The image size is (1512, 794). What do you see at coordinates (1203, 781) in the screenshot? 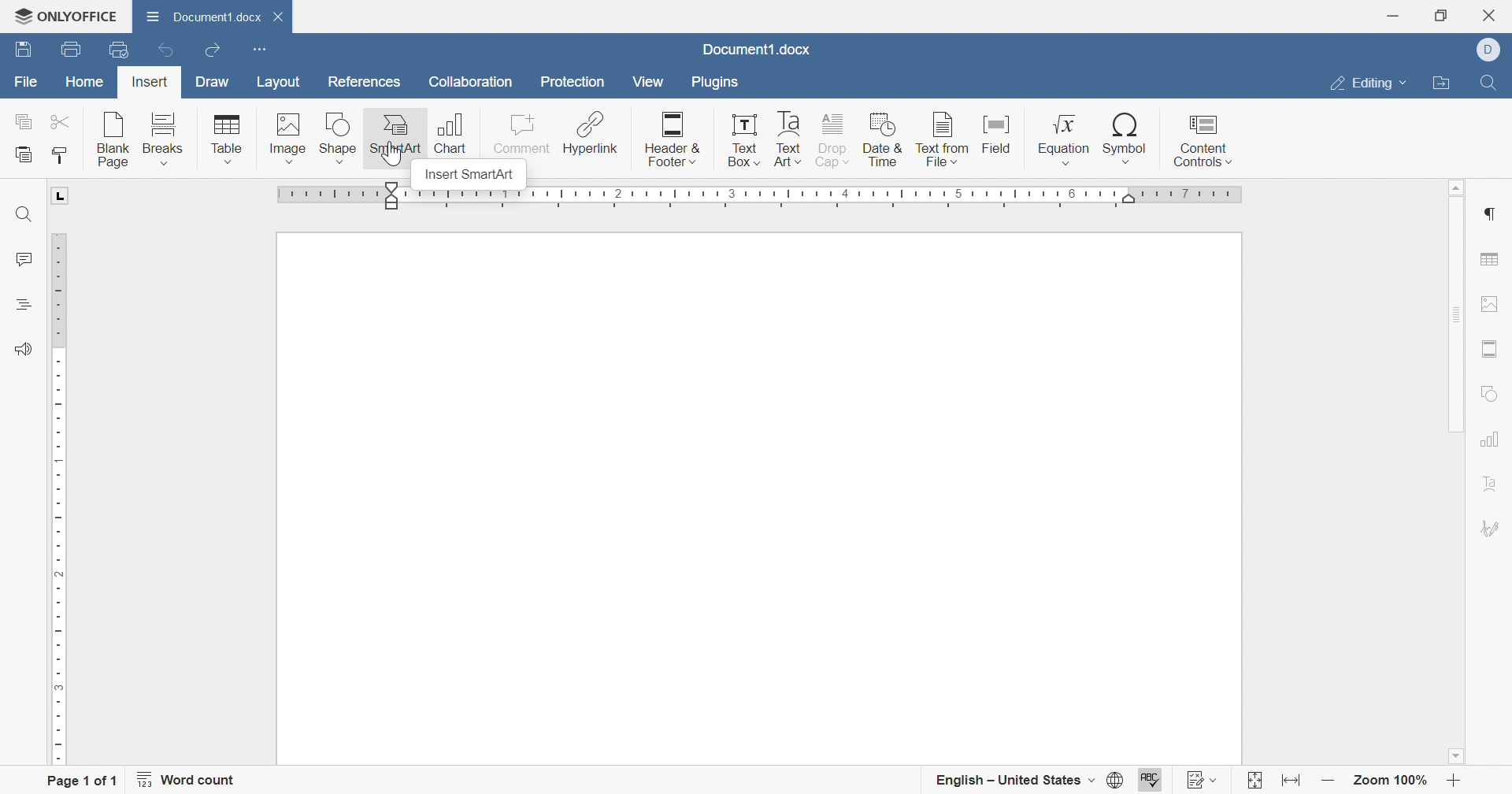
I see `Track changes` at bounding box center [1203, 781].